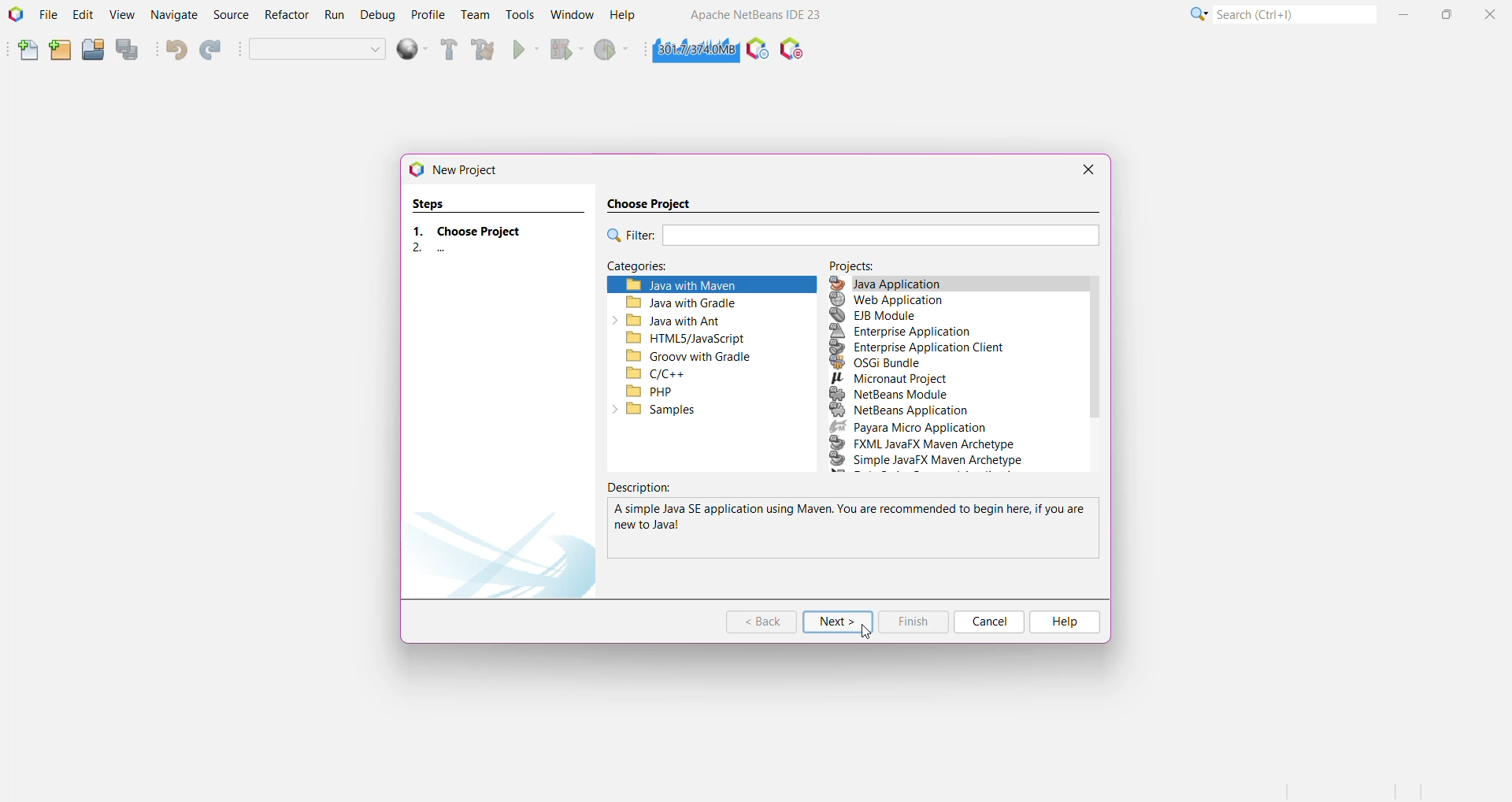  Describe the element at coordinates (850, 236) in the screenshot. I see `Filter` at that location.